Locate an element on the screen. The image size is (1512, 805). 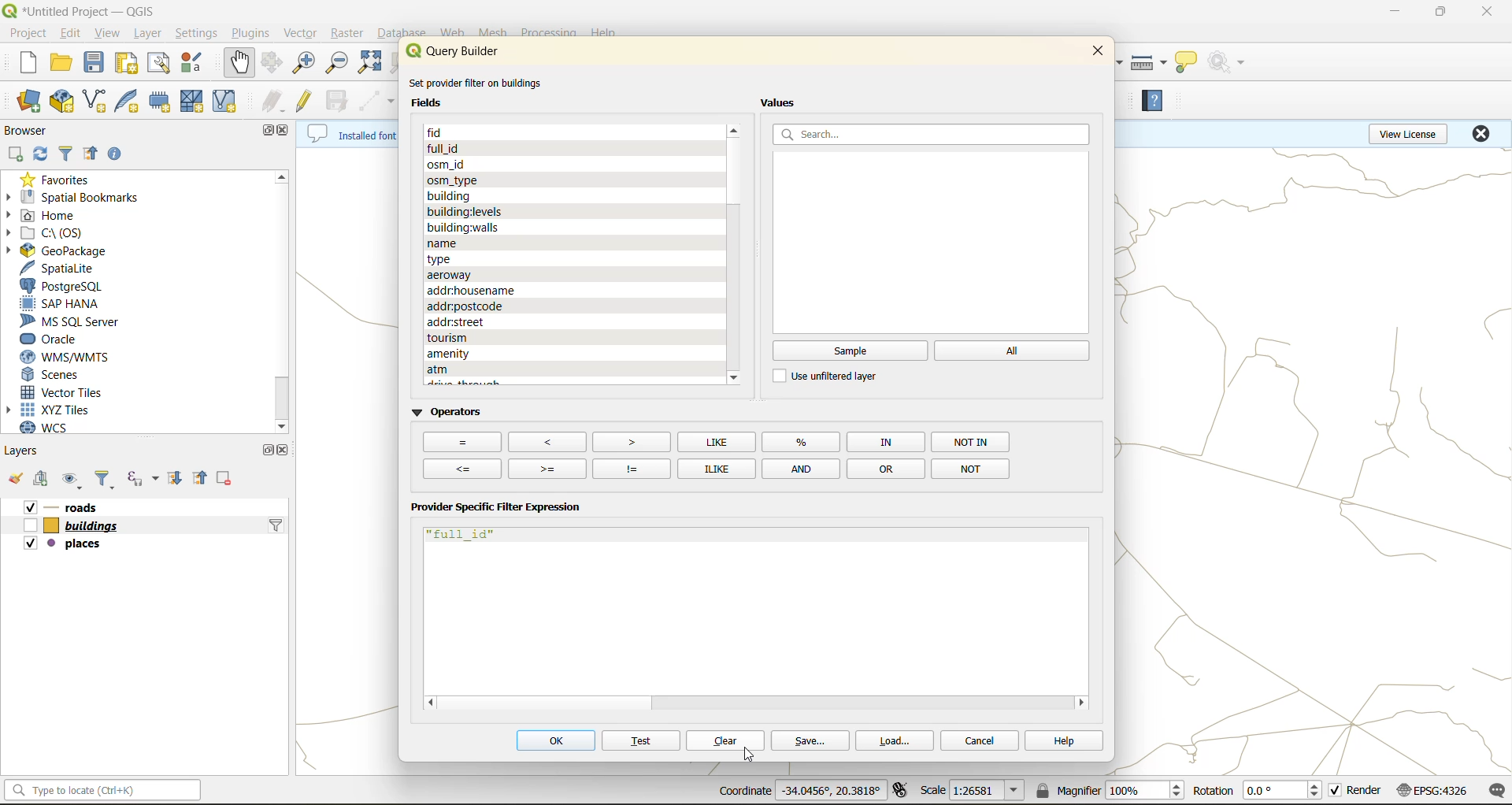
minimize is located at coordinates (1392, 14).